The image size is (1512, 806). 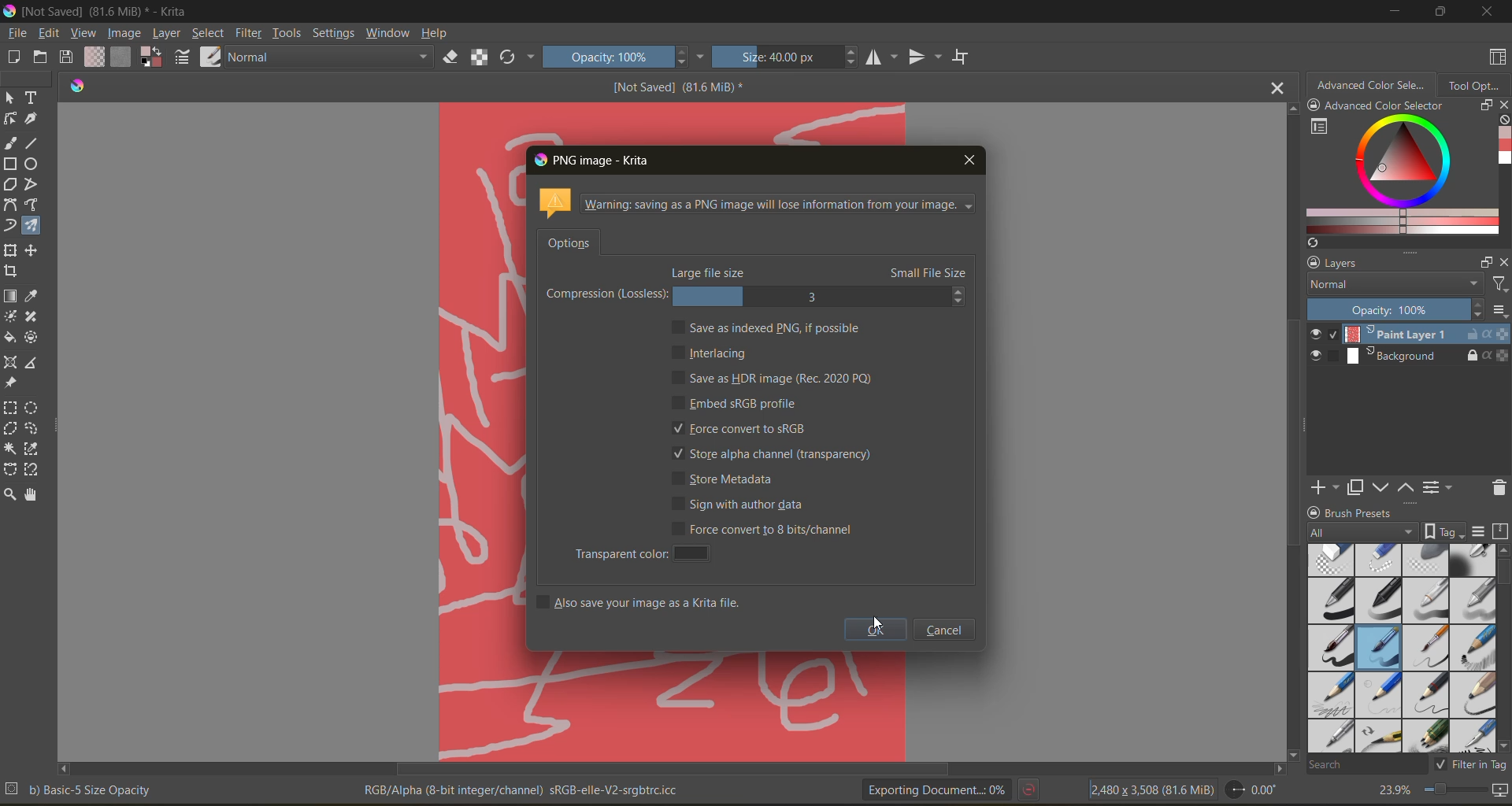 What do you see at coordinates (1366, 763) in the screenshot?
I see `search` at bounding box center [1366, 763].